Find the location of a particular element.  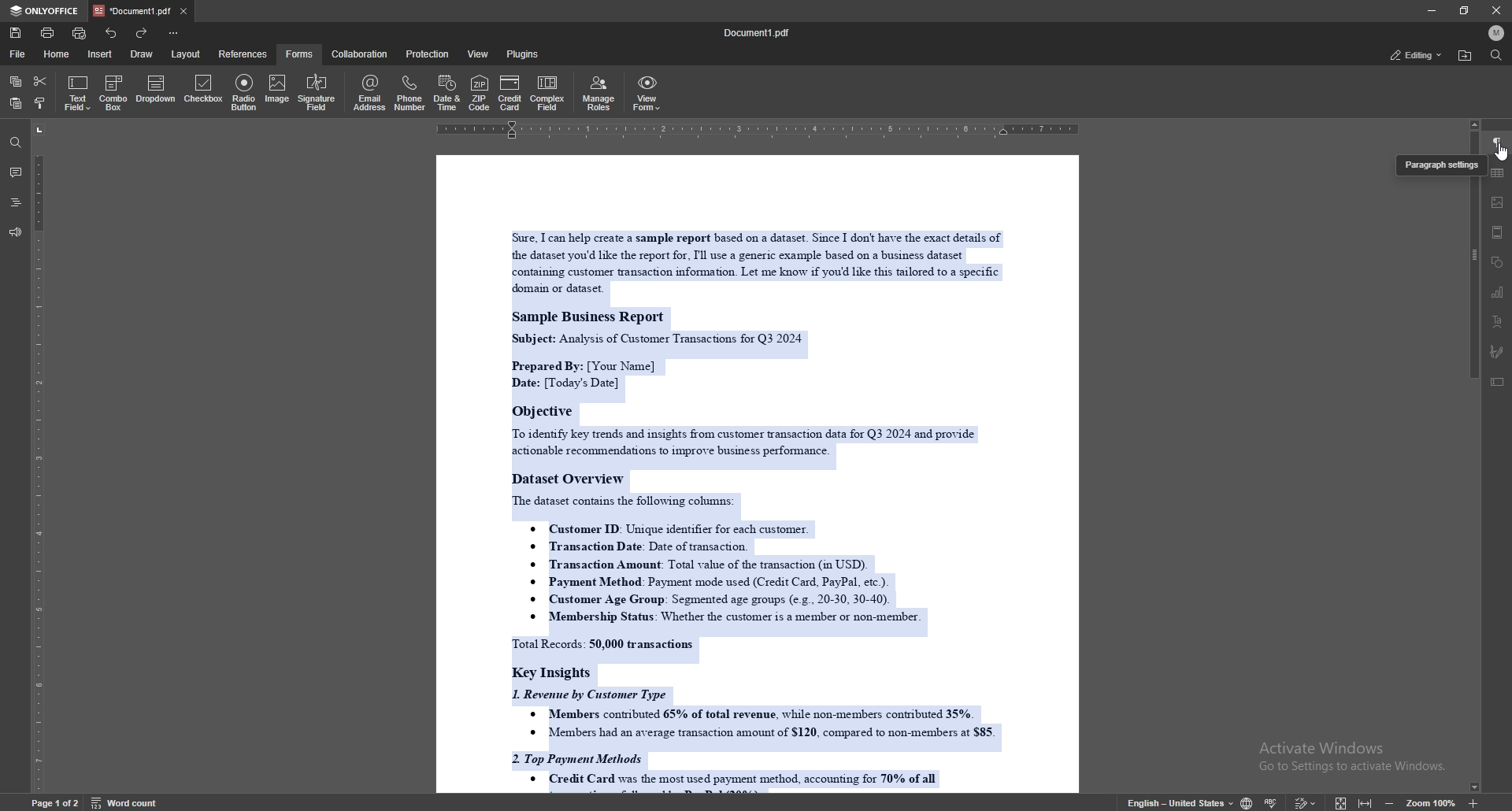

vertical scale is located at coordinates (39, 458).